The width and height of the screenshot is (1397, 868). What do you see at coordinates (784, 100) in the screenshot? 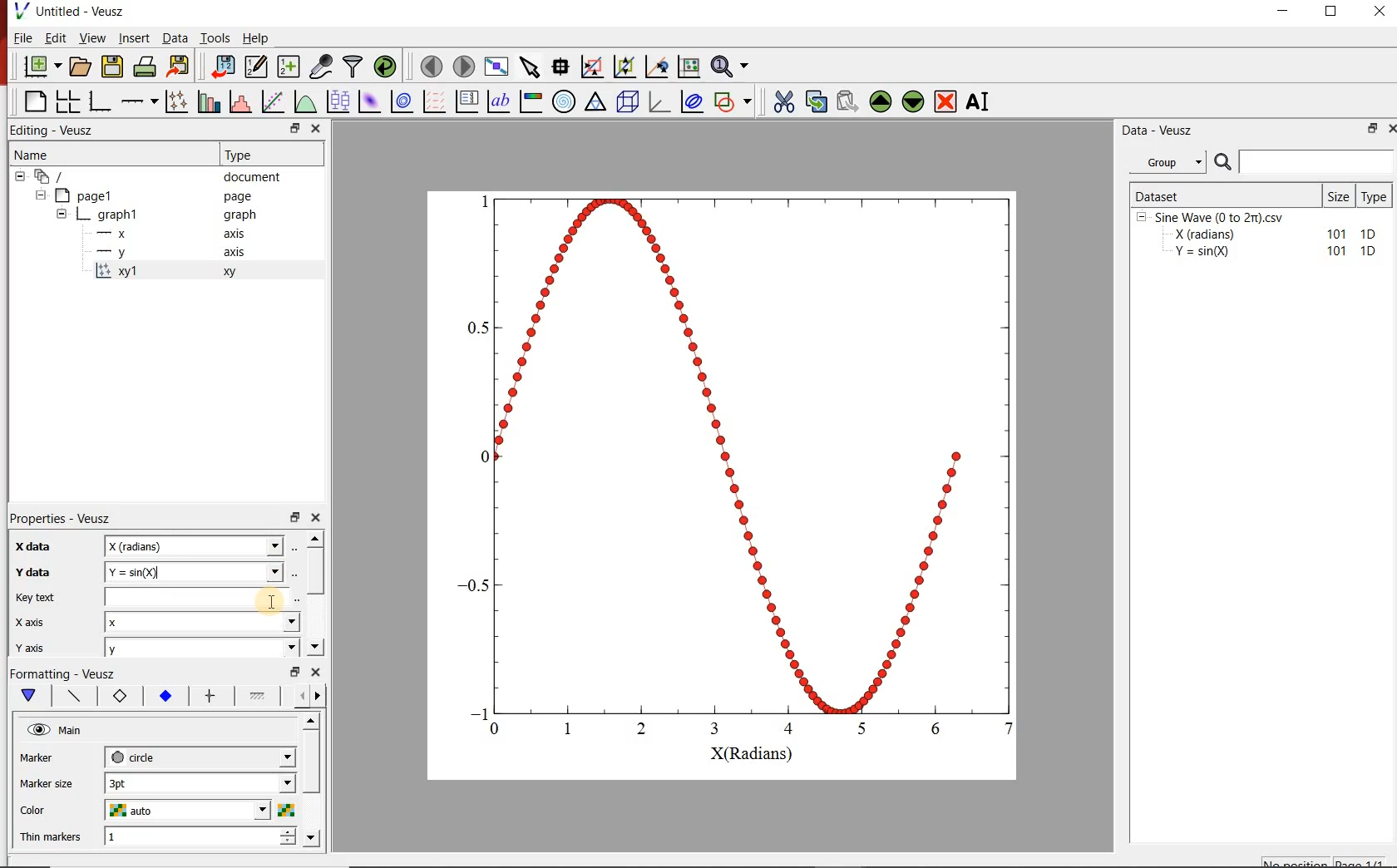
I see `cut` at bounding box center [784, 100].